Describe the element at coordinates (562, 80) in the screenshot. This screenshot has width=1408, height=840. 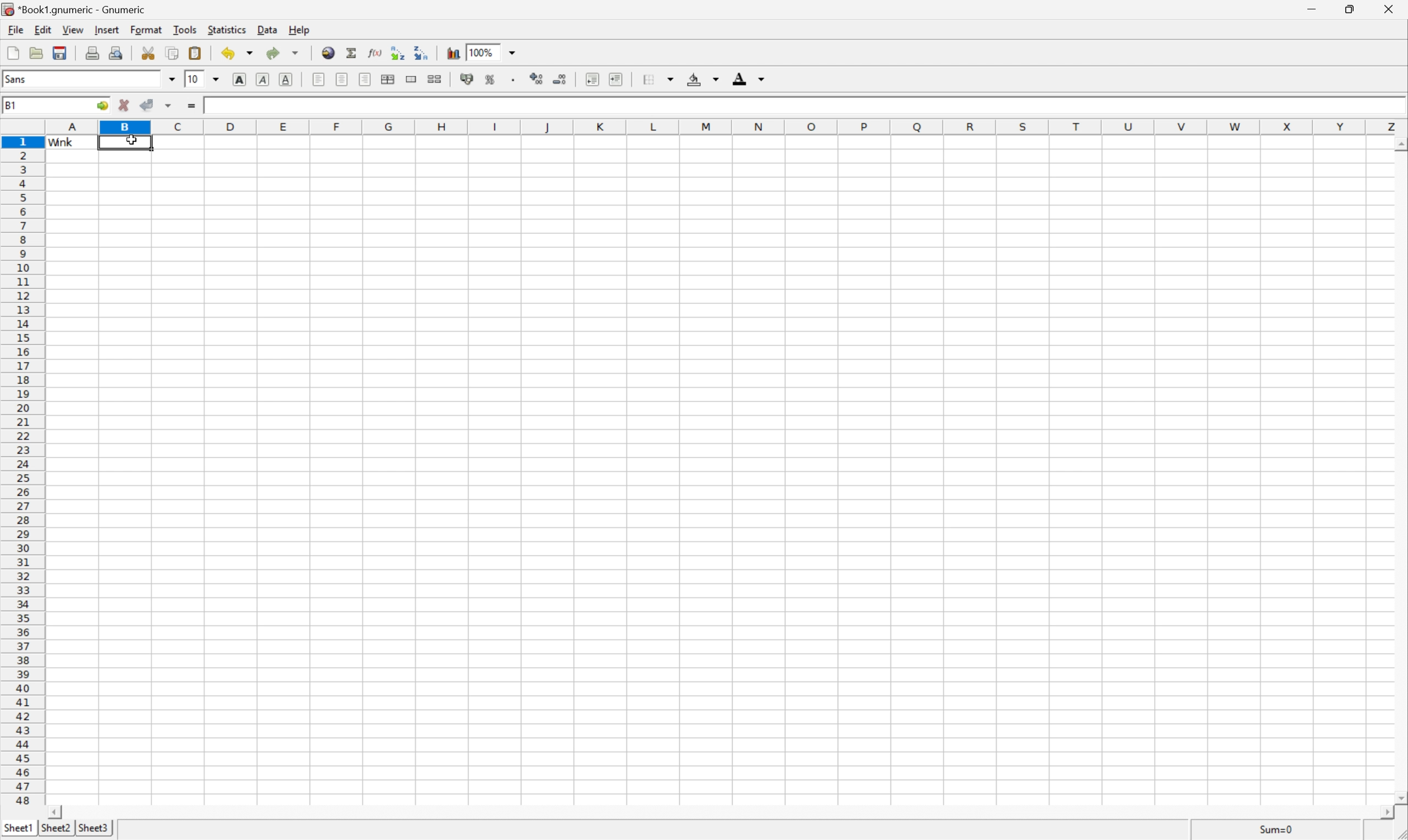
I see `decrease number of decimals displayed` at that location.